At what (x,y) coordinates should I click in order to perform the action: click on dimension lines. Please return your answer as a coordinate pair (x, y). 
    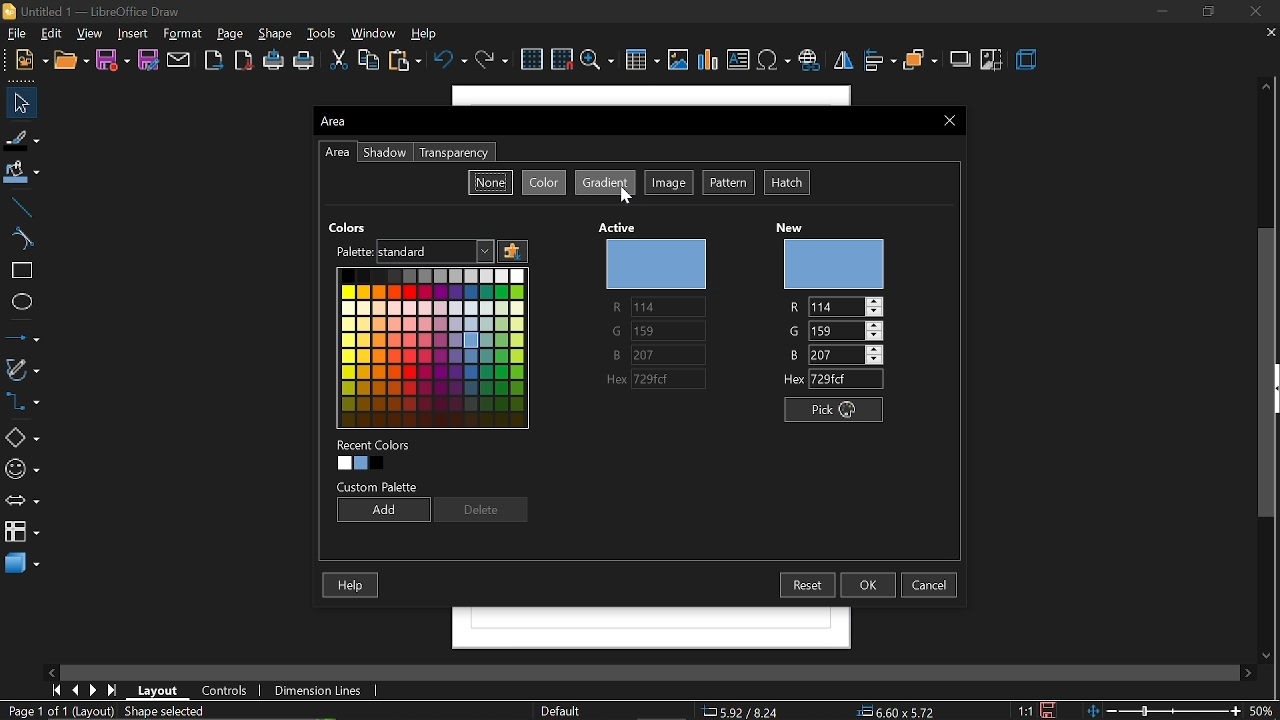
    Looking at the image, I should click on (318, 690).